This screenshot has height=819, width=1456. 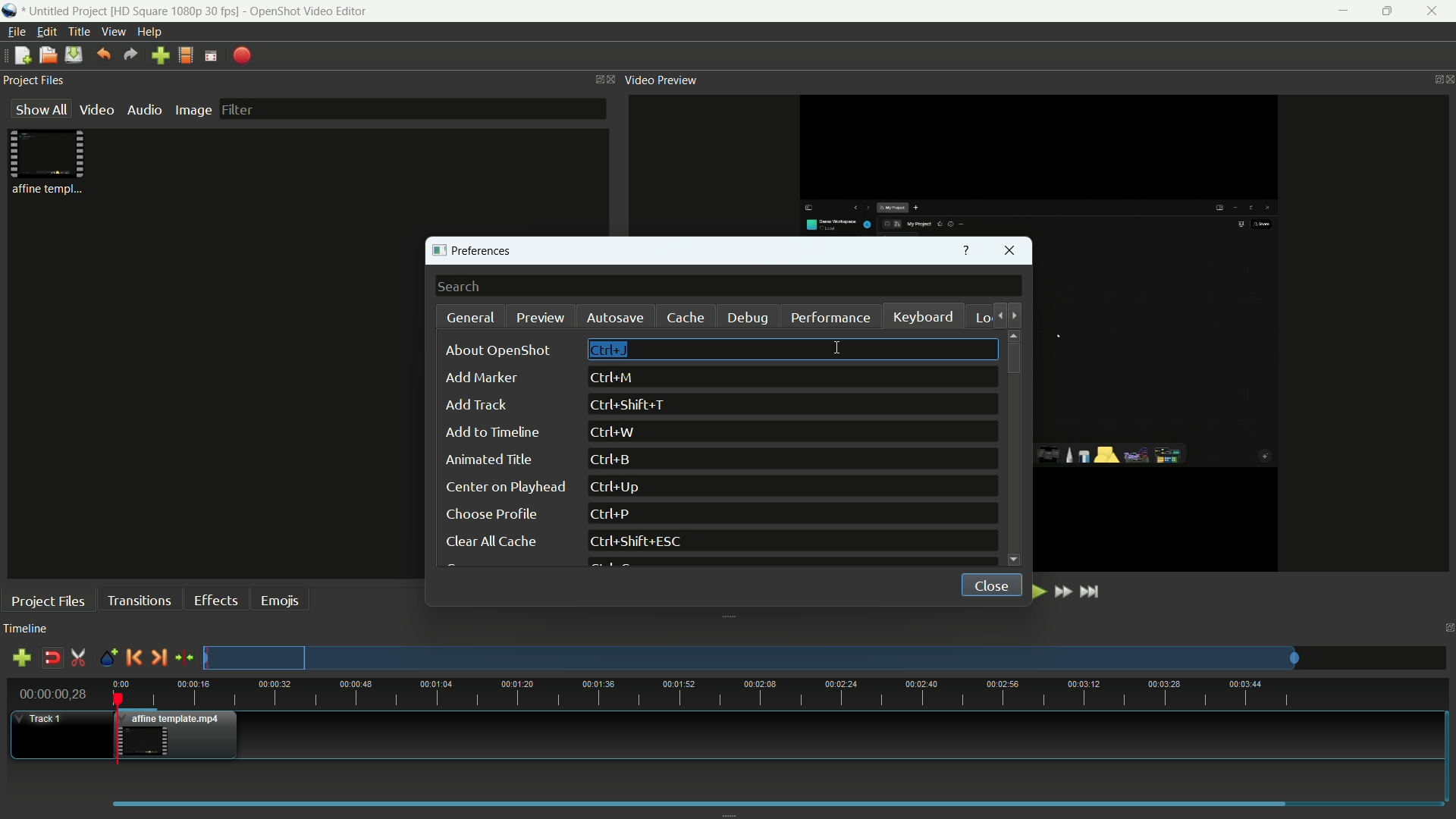 I want to click on undo, so click(x=103, y=54).